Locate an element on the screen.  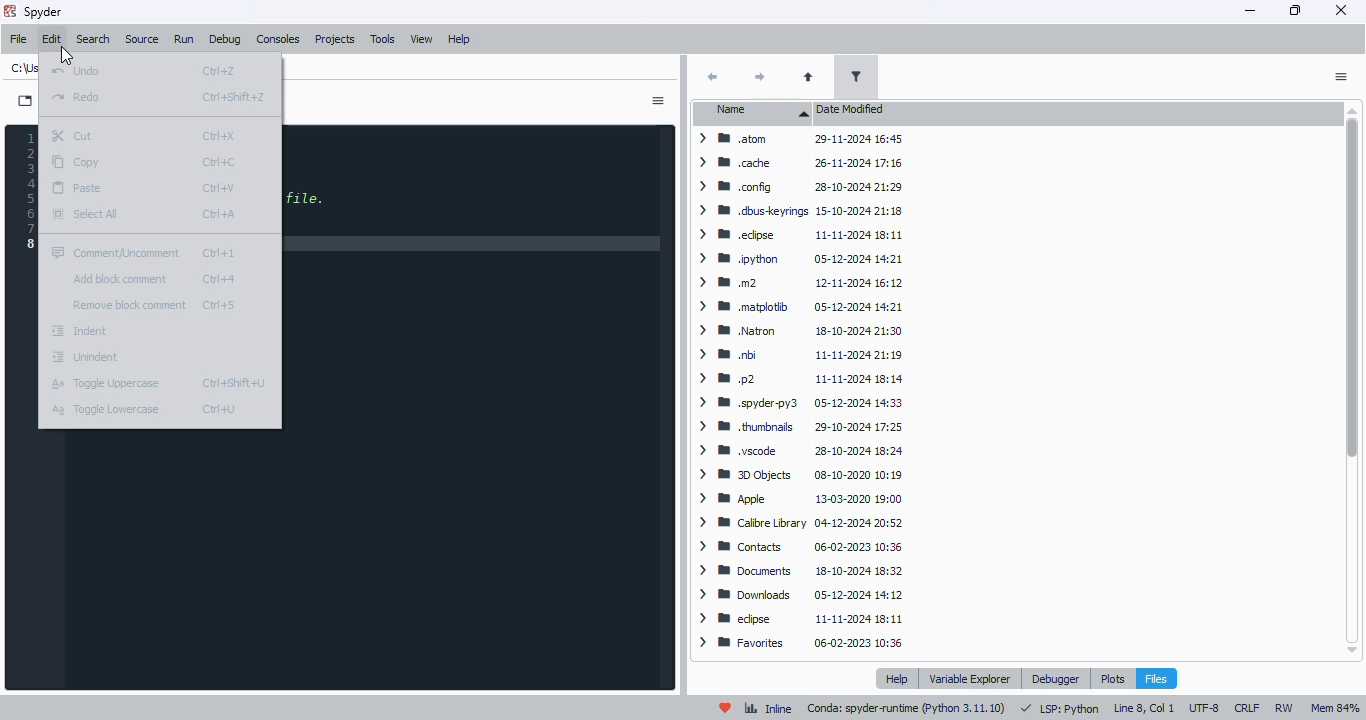
> BW Natron 18-10-2024 21:30 is located at coordinates (797, 331).